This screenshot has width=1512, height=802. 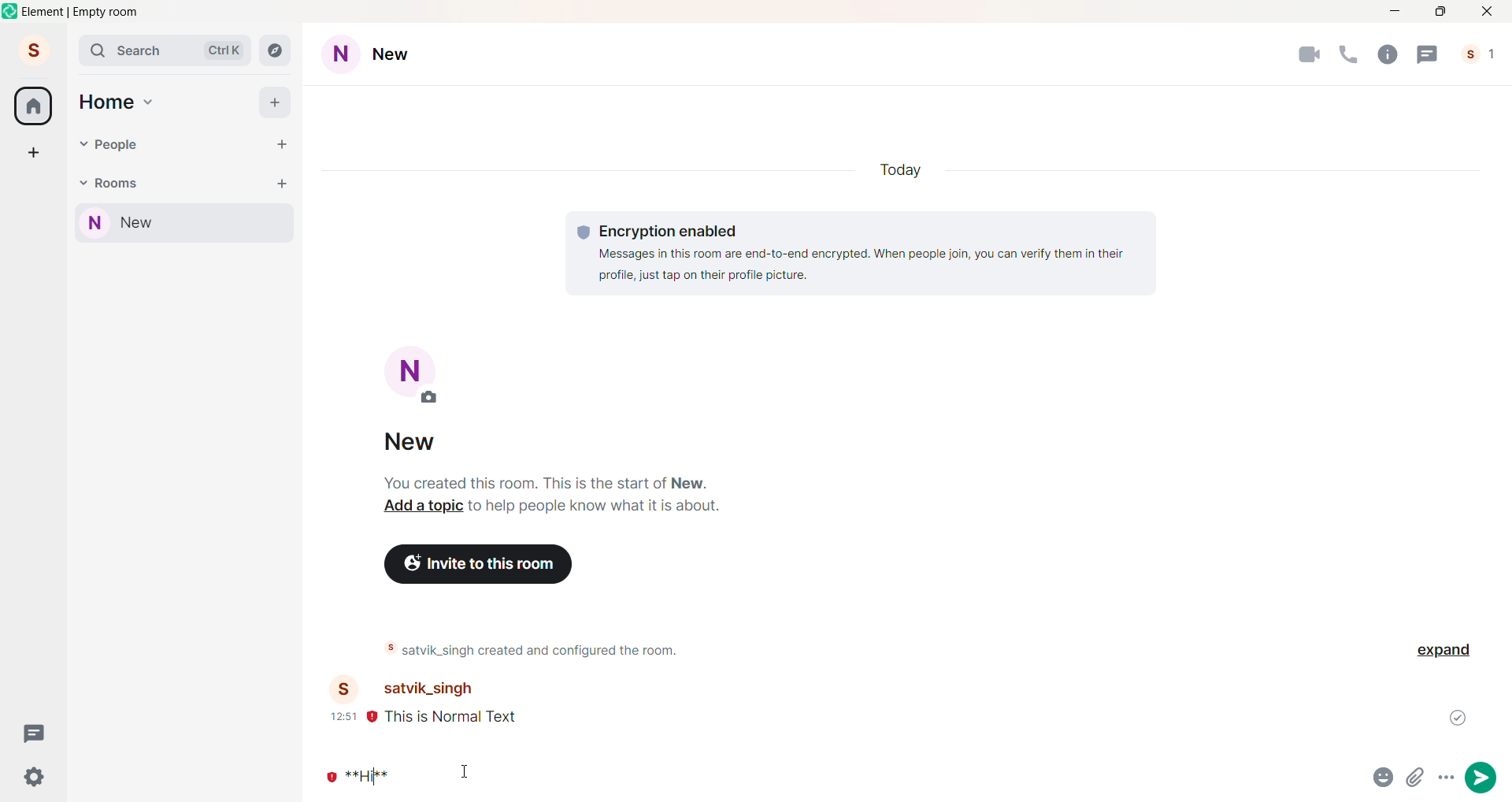 I want to click on People, so click(x=120, y=145).